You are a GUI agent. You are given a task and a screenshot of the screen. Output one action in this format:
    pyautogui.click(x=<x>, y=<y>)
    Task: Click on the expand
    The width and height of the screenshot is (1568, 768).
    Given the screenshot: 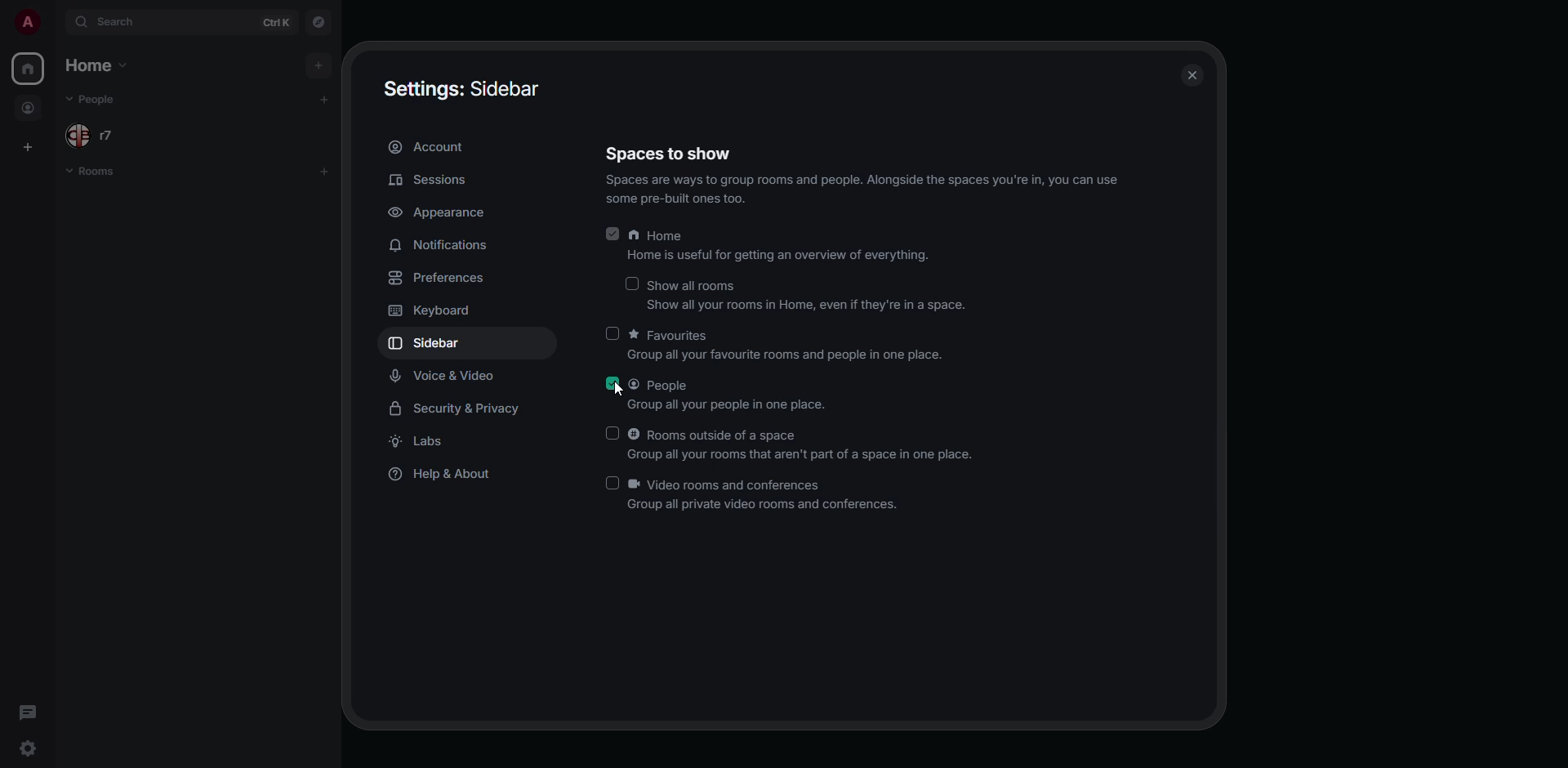 What is the action you would take?
    pyautogui.click(x=55, y=21)
    